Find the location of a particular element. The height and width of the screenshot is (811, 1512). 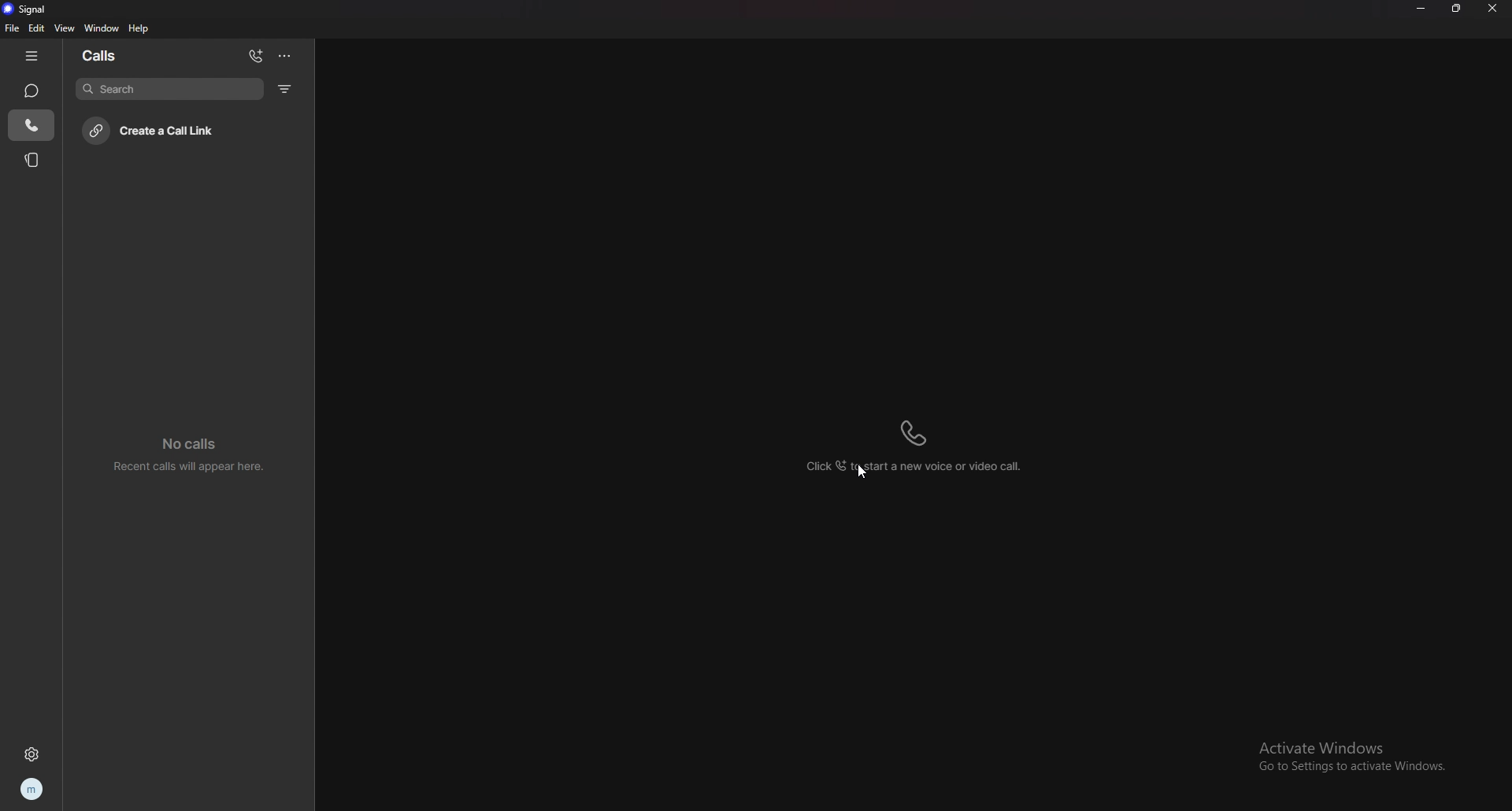

file is located at coordinates (10, 28).